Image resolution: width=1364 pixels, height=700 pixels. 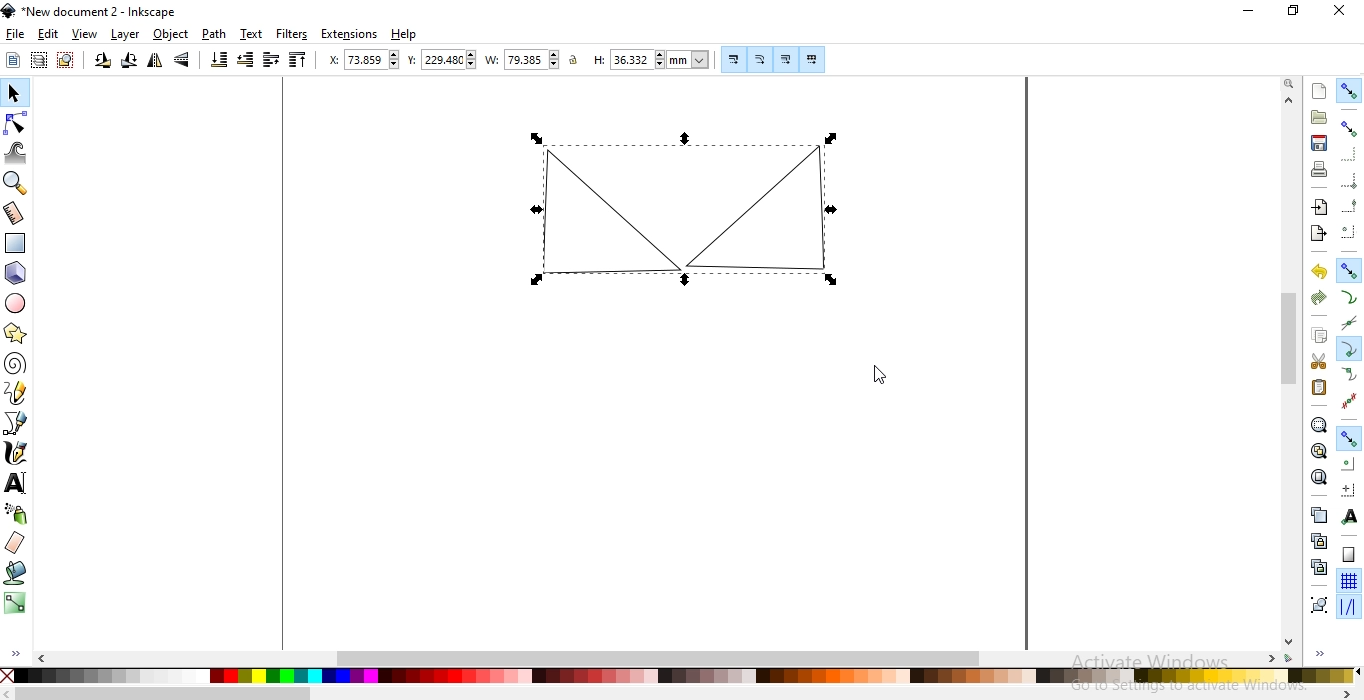 I want to click on scale stroke width by same proportion, so click(x=734, y=59).